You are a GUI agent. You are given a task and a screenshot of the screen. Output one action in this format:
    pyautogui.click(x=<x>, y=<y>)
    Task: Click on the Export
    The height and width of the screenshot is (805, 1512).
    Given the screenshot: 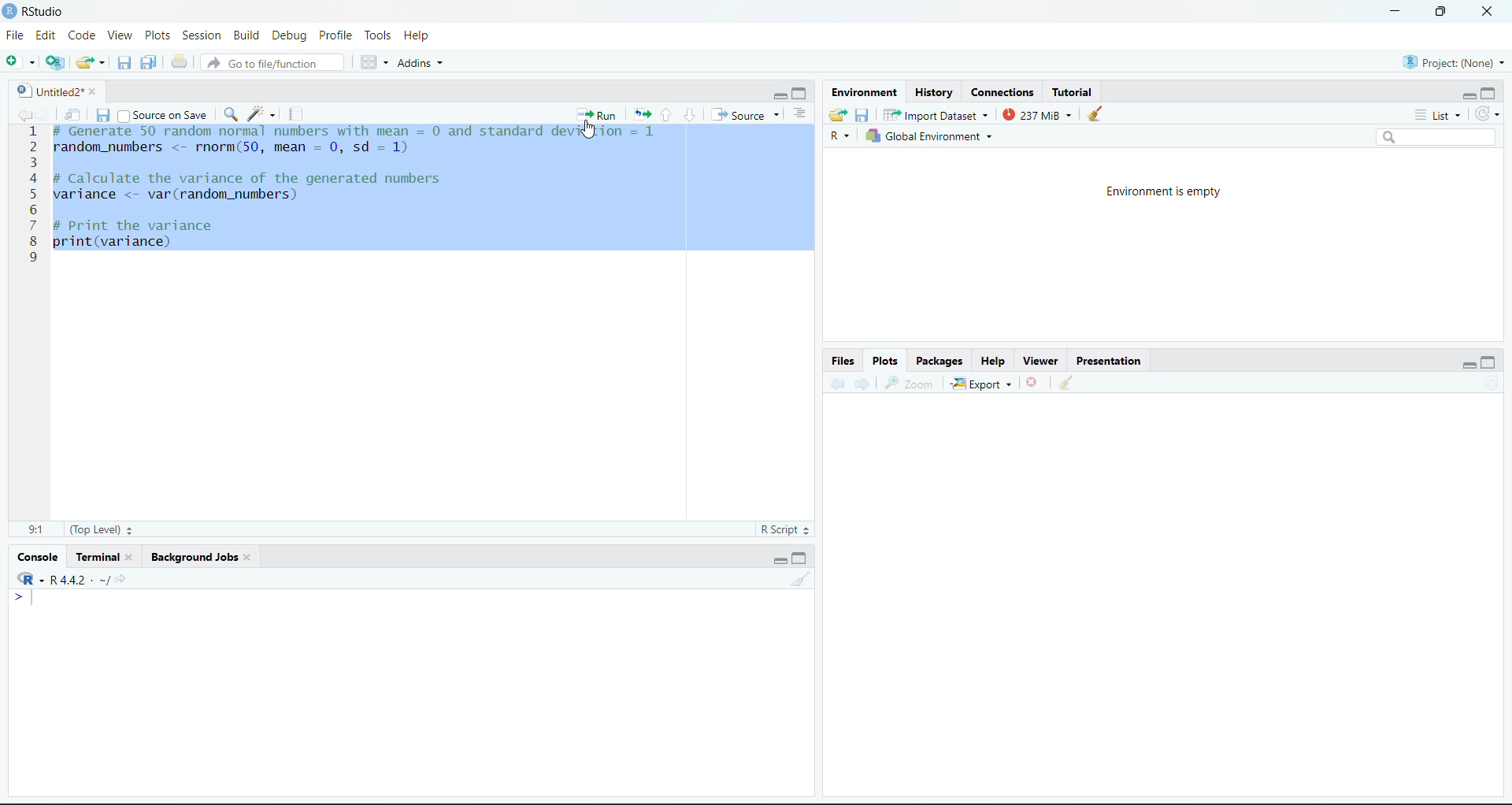 What is the action you would take?
    pyautogui.click(x=982, y=384)
    